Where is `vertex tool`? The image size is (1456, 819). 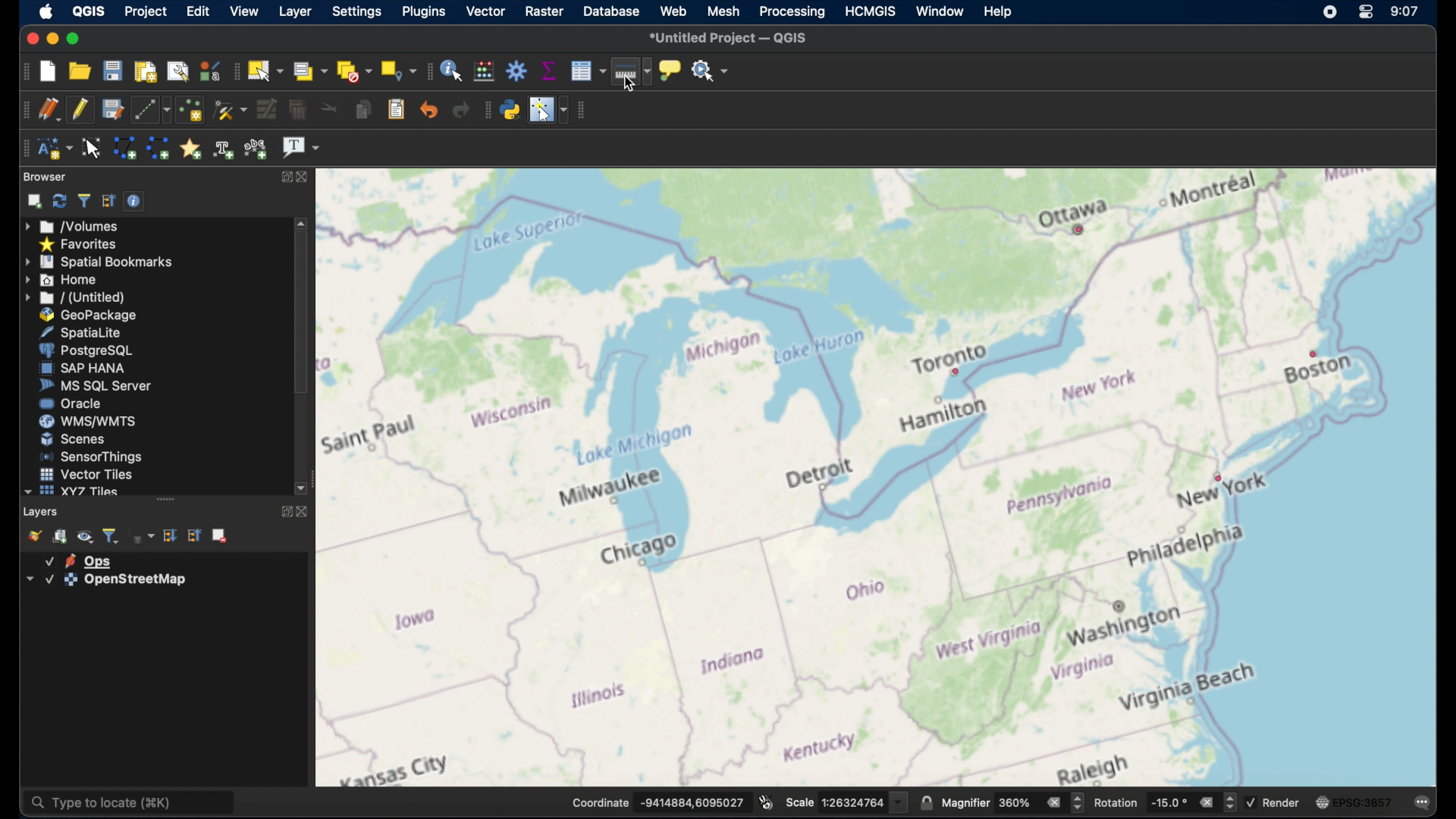
vertex tool is located at coordinates (231, 110).